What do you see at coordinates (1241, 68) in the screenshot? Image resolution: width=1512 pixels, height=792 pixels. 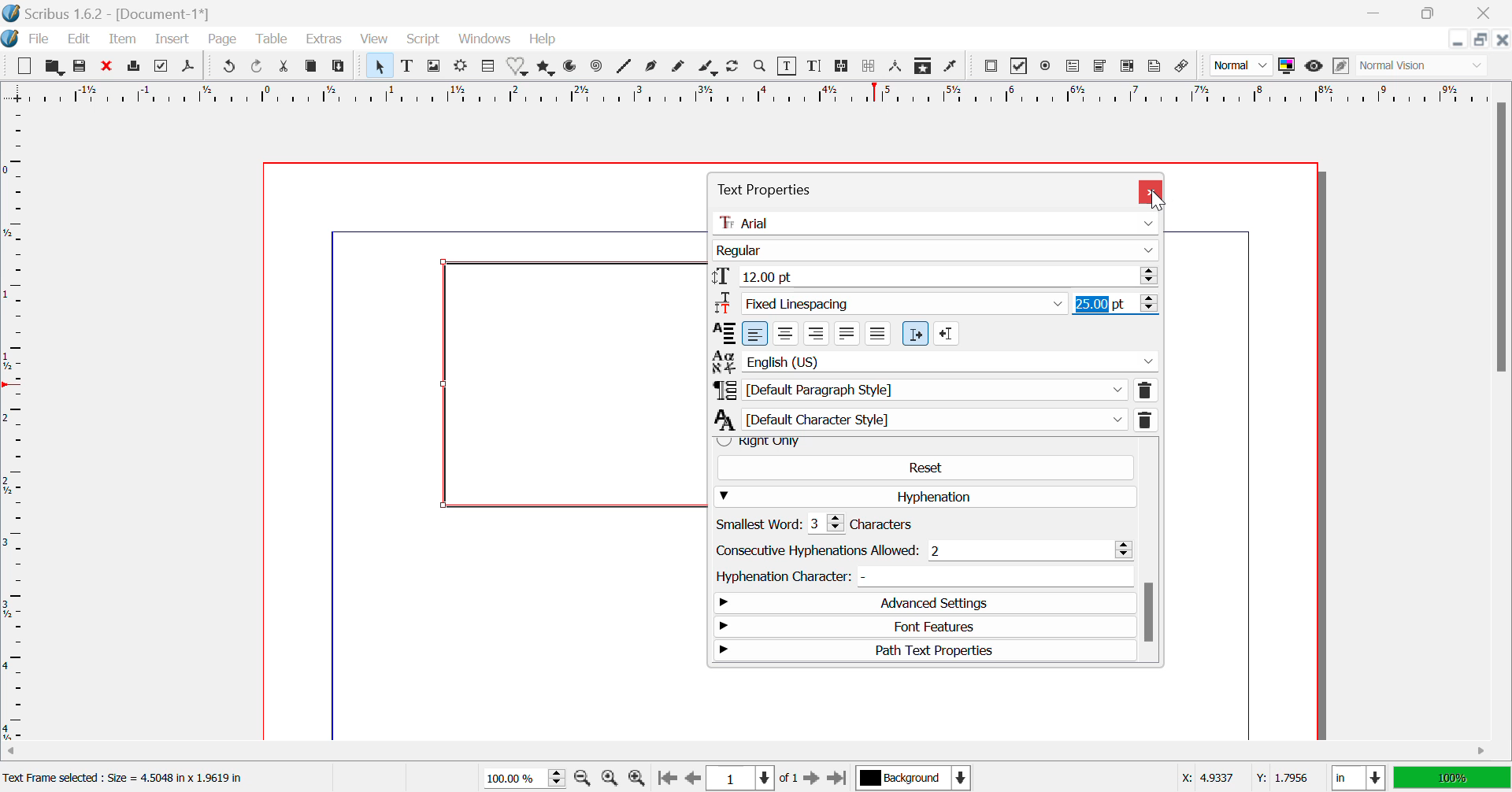 I see `Normal` at bounding box center [1241, 68].